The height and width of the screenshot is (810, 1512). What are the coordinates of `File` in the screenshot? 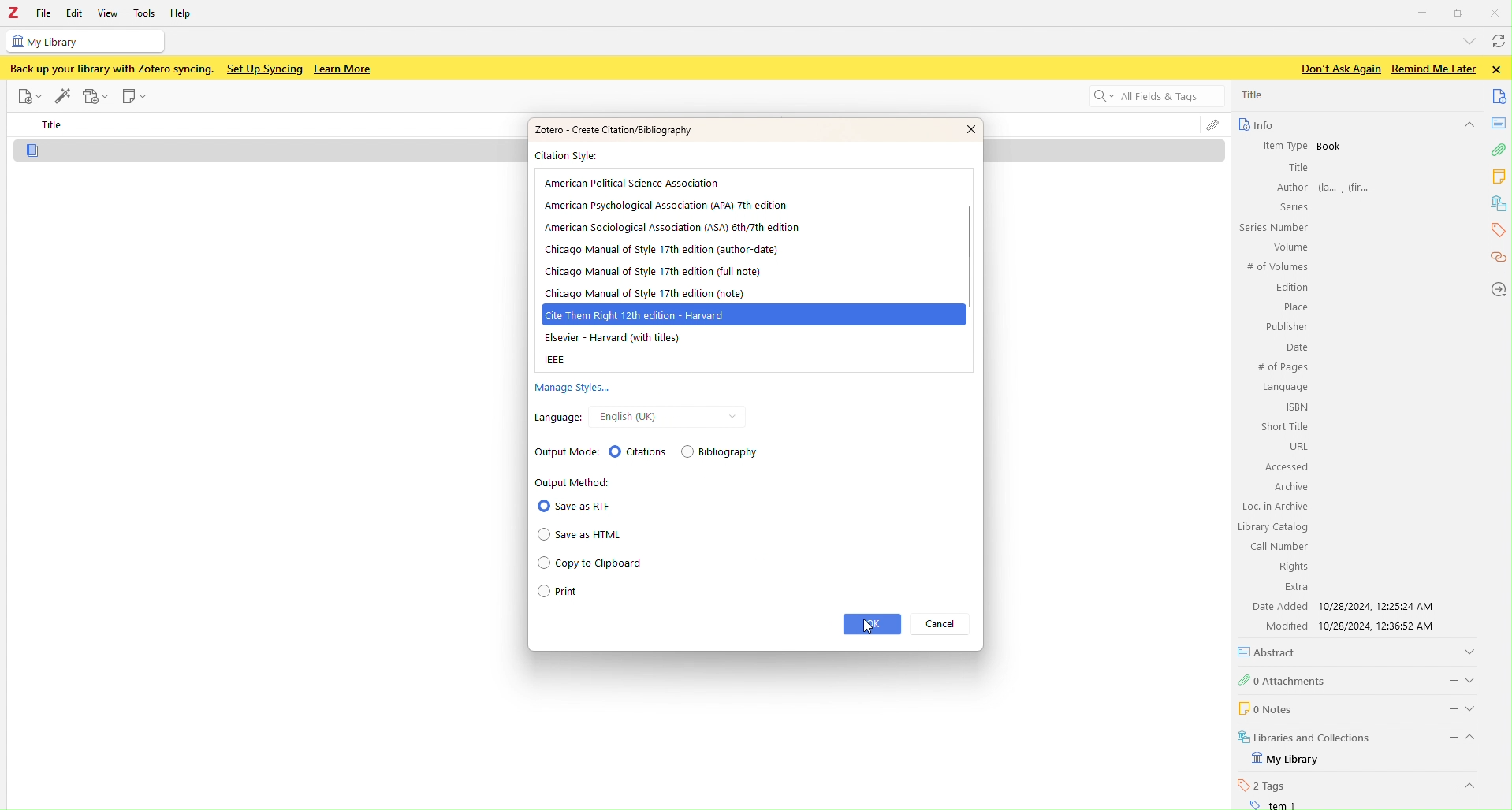 It's located at (28, 96).